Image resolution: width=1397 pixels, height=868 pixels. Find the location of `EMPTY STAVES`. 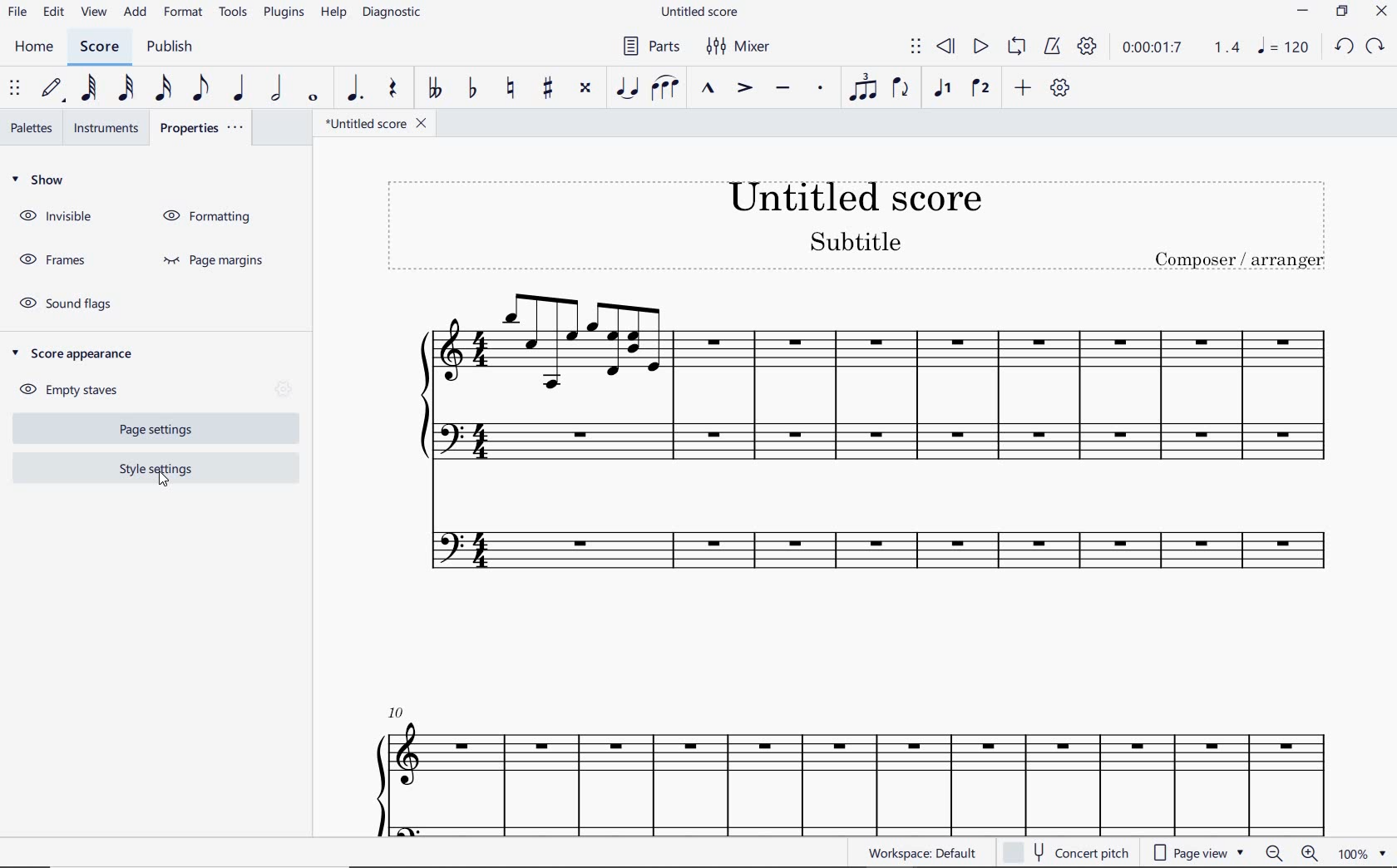

EMPTY STAVES is located at coordinates (76, 387).